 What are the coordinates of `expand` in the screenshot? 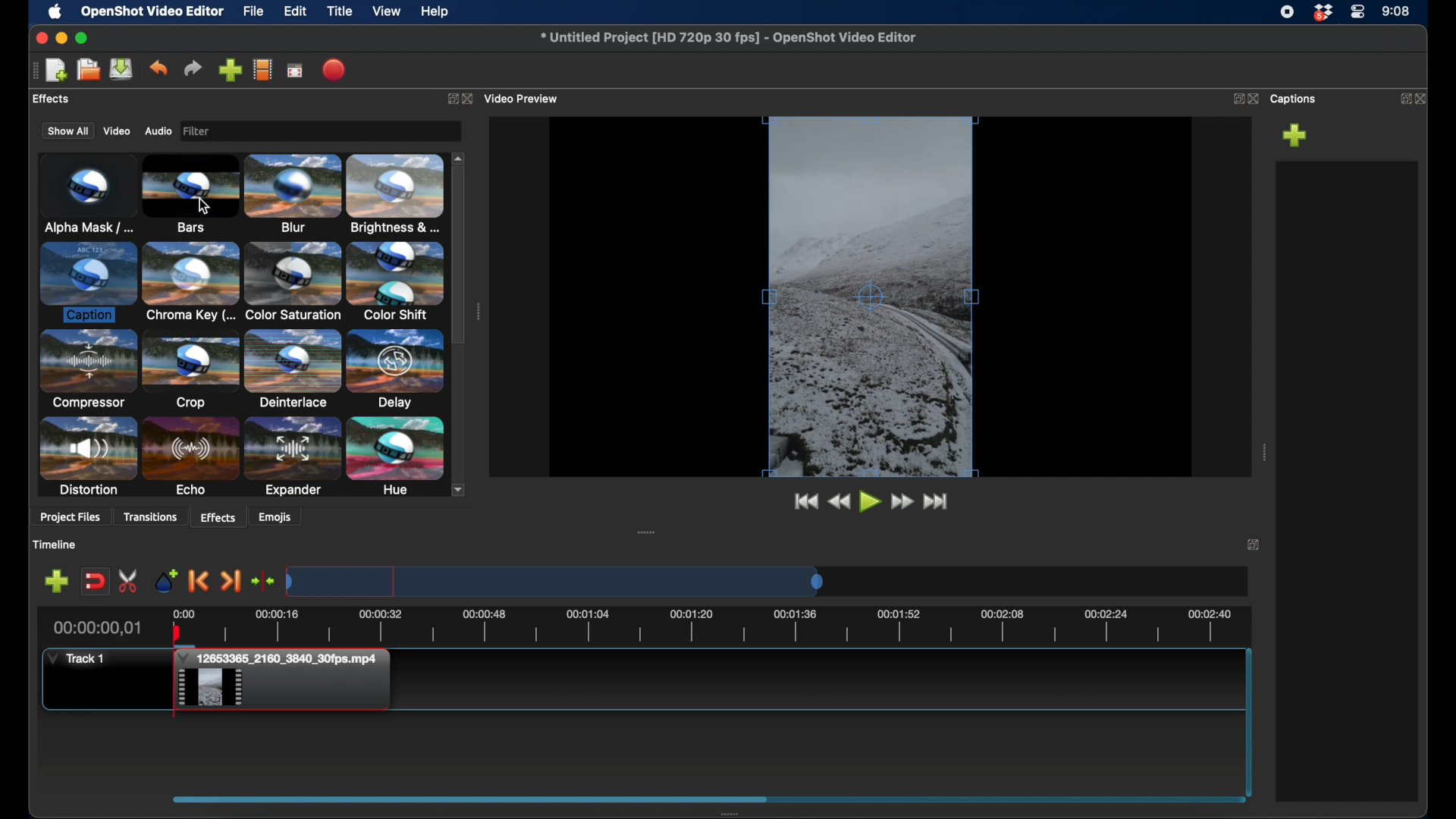 It's located at (1235, 99).